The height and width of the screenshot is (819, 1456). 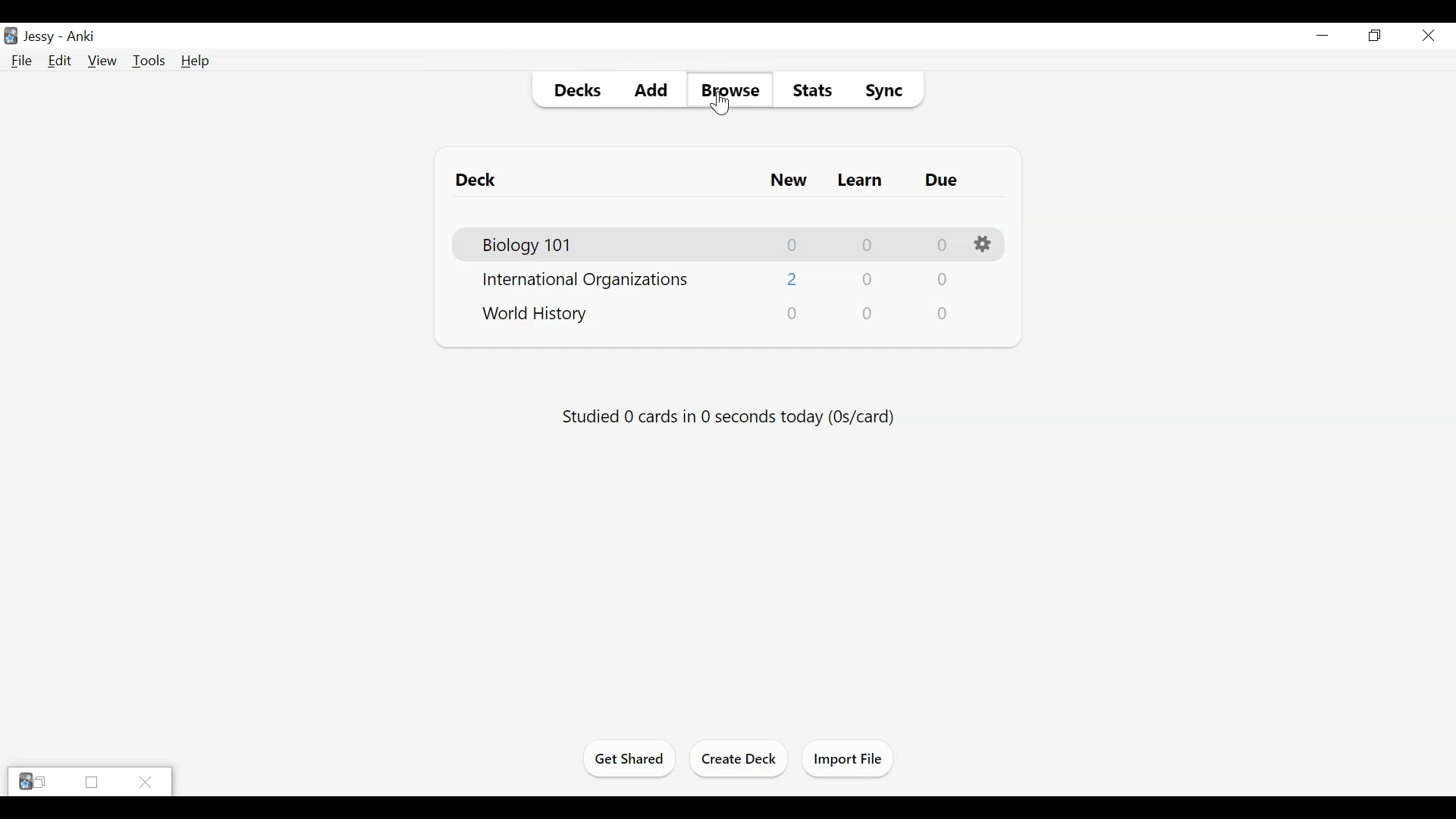 What do you see at coordinates (789, 180) in the screenshot?
I see `New Card ` at bounding box center [789, 180].